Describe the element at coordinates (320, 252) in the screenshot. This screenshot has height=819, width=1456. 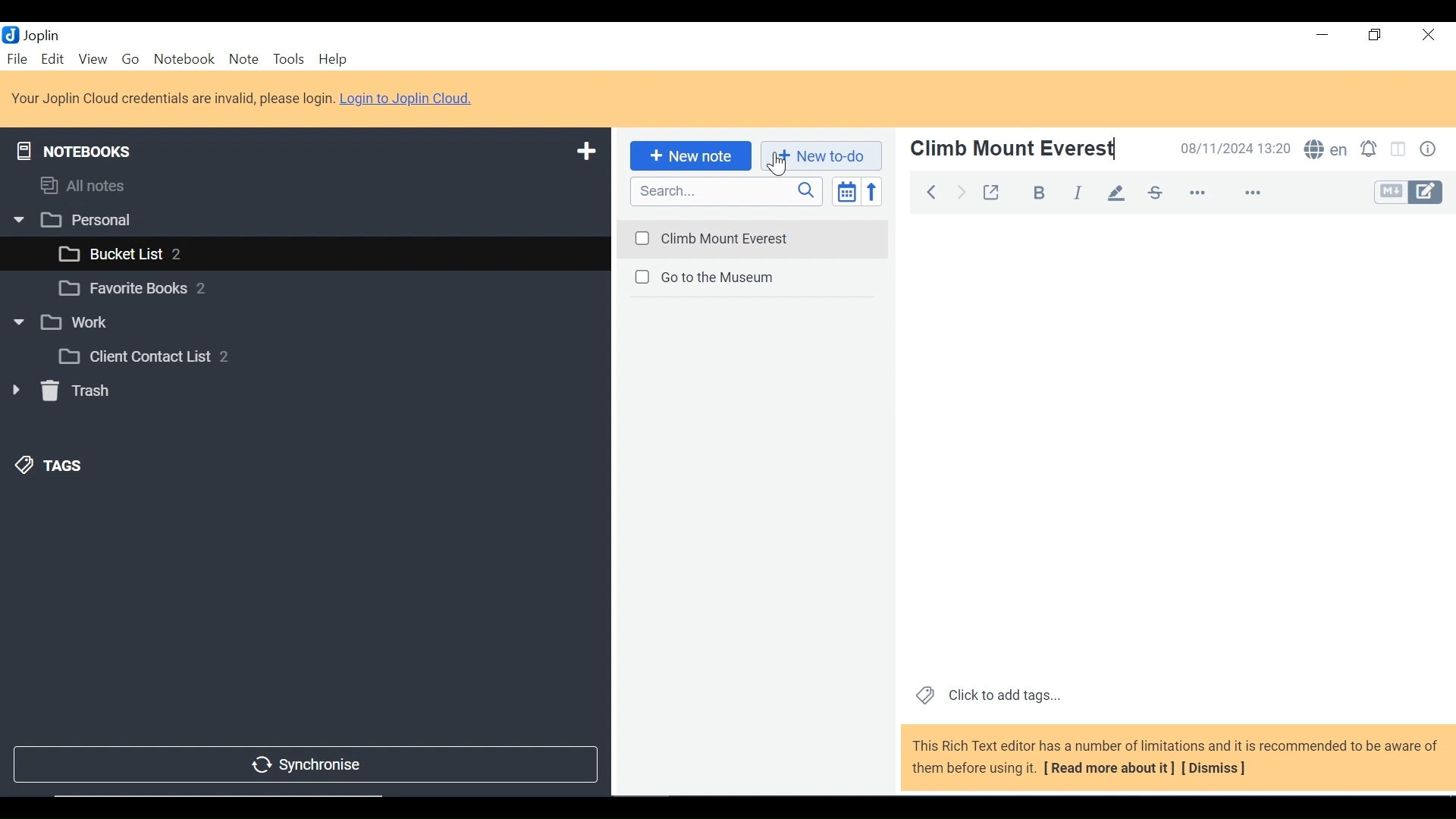
I see `Notebook` at that location.